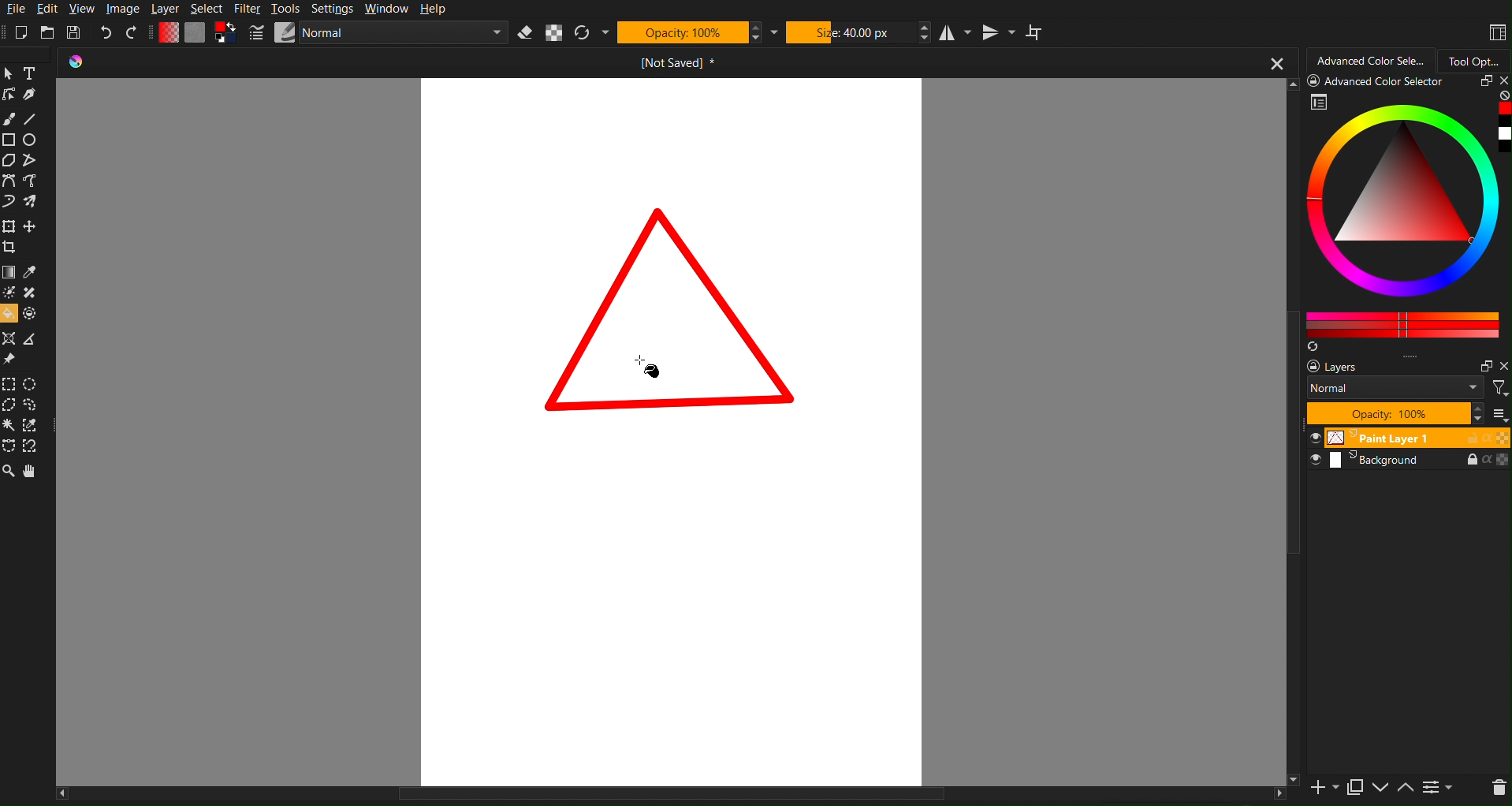 The image size is (1512, 806). What do you see at coordinates (1396, 388) in the screenshot?
I see `blend mode` at bounding box center [1396, 388].